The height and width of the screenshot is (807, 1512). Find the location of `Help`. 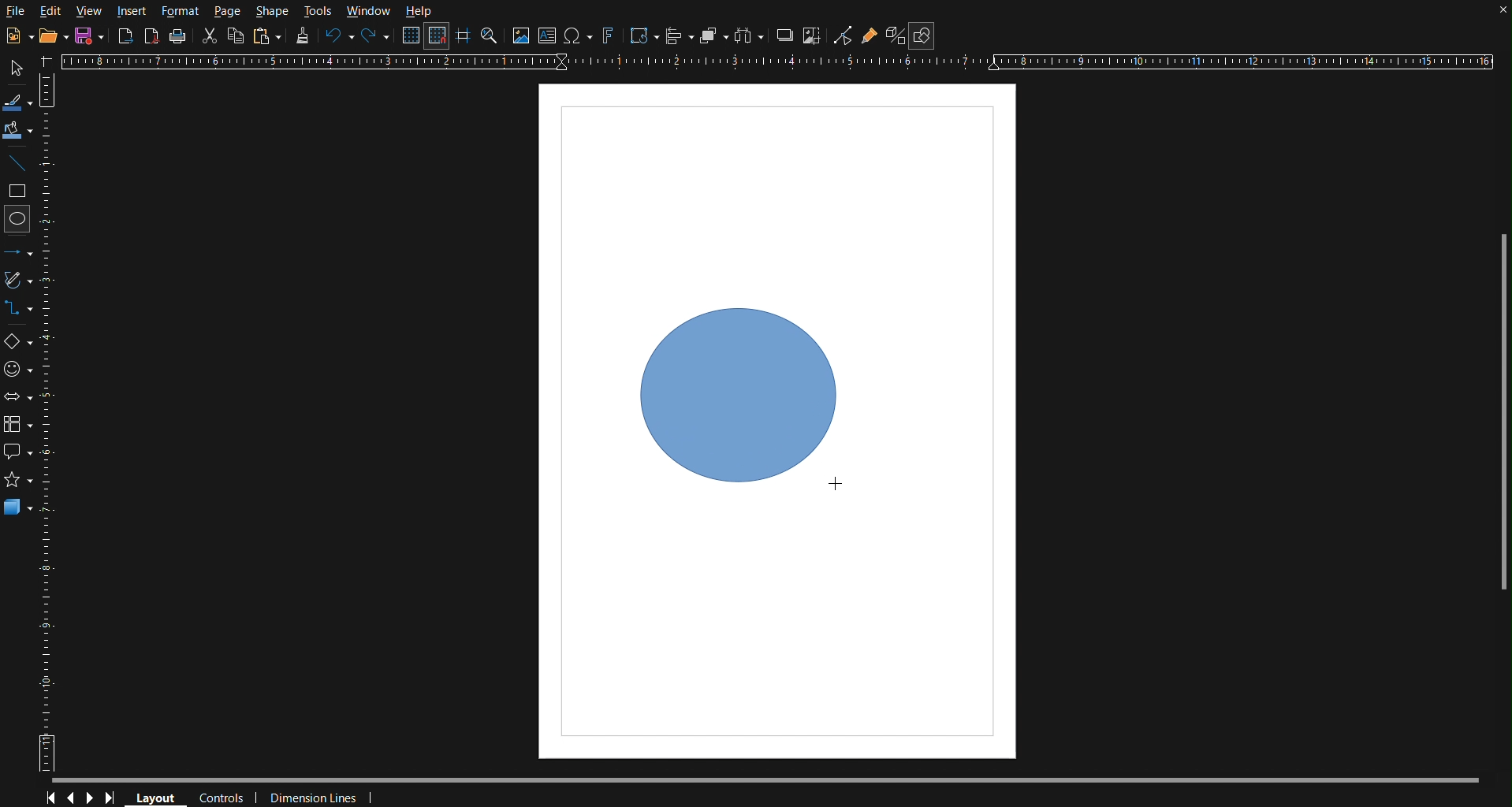

Help is located at coordinates (418, 12).